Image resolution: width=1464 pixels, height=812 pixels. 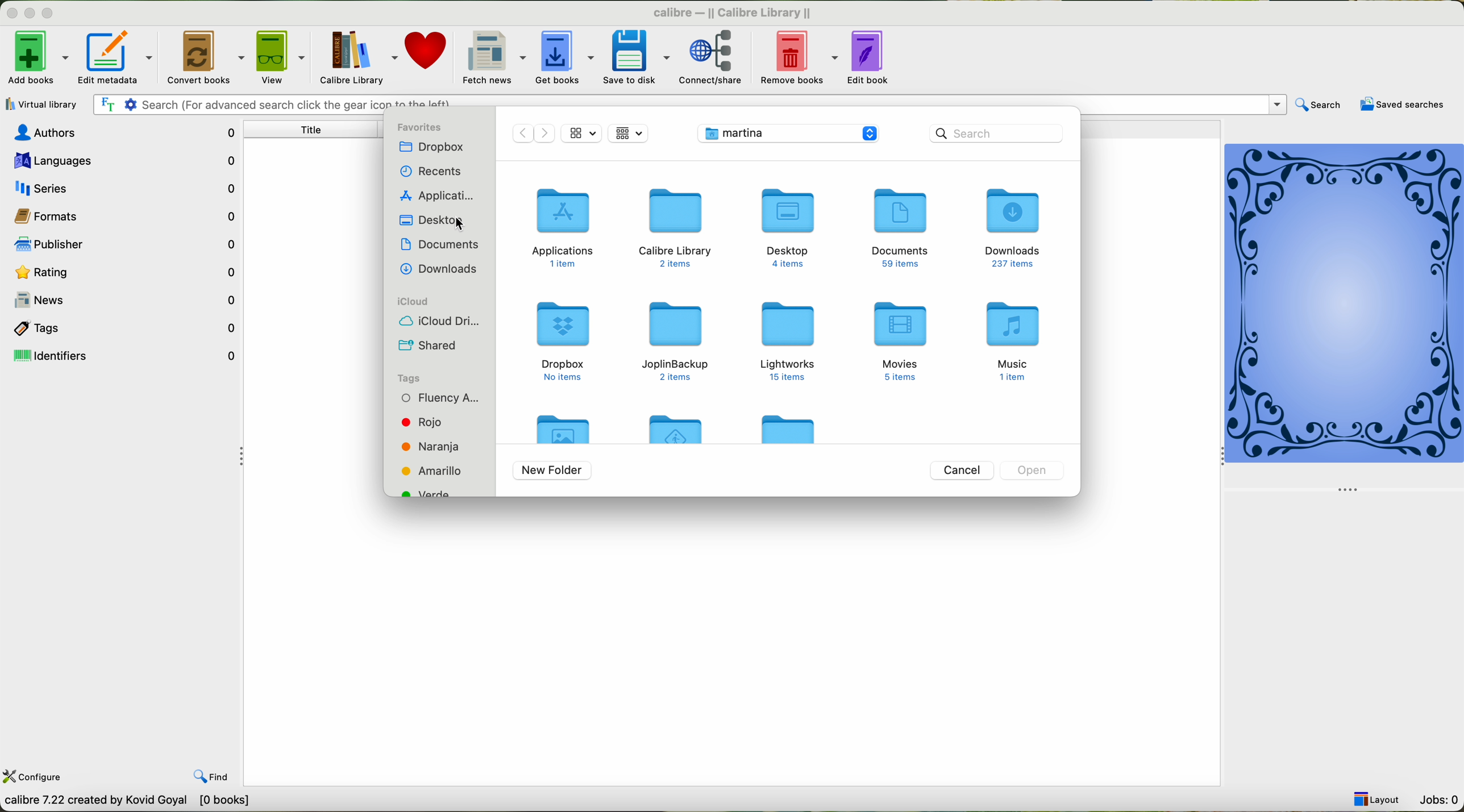 What do you see at coordinates (1010, 230) in the screenshot?
I see `Downloads` at bounding box center [1010, 230].